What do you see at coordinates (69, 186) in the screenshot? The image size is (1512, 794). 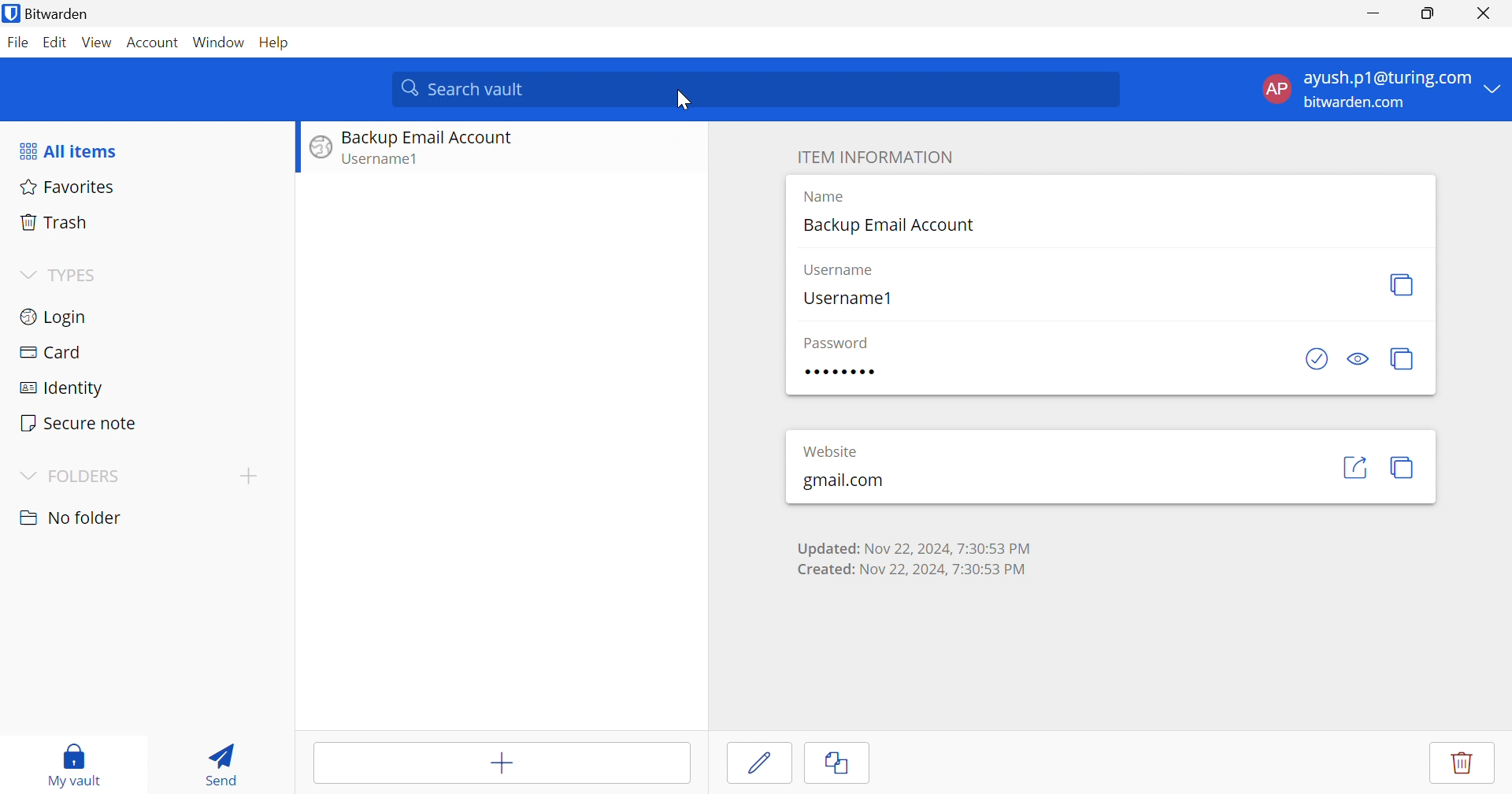 I see `Favorites` at bounding box center [69, 186].